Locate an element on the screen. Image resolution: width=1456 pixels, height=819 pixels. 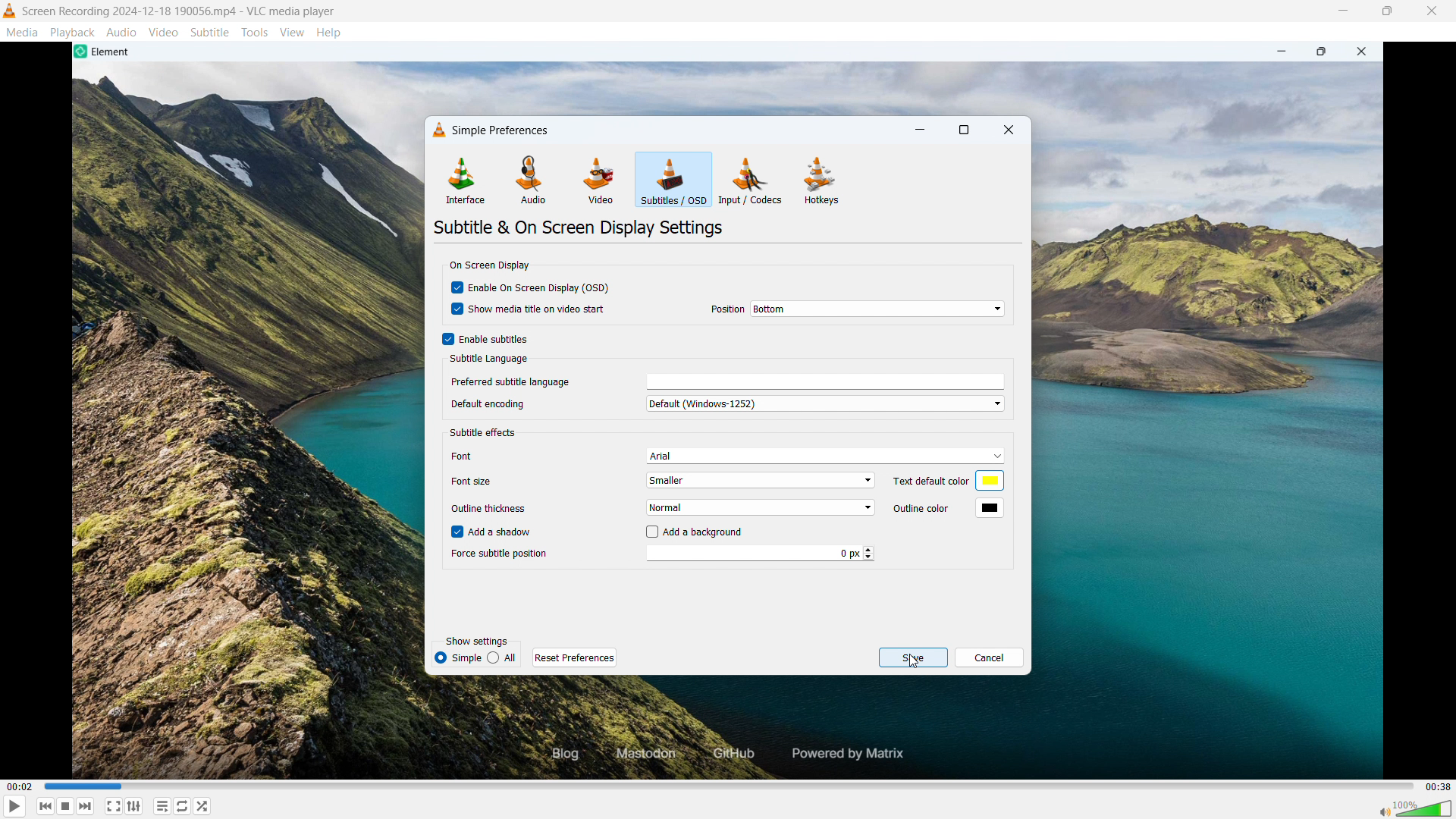
minimise dialogue box  is located at coordinates (921, 130).